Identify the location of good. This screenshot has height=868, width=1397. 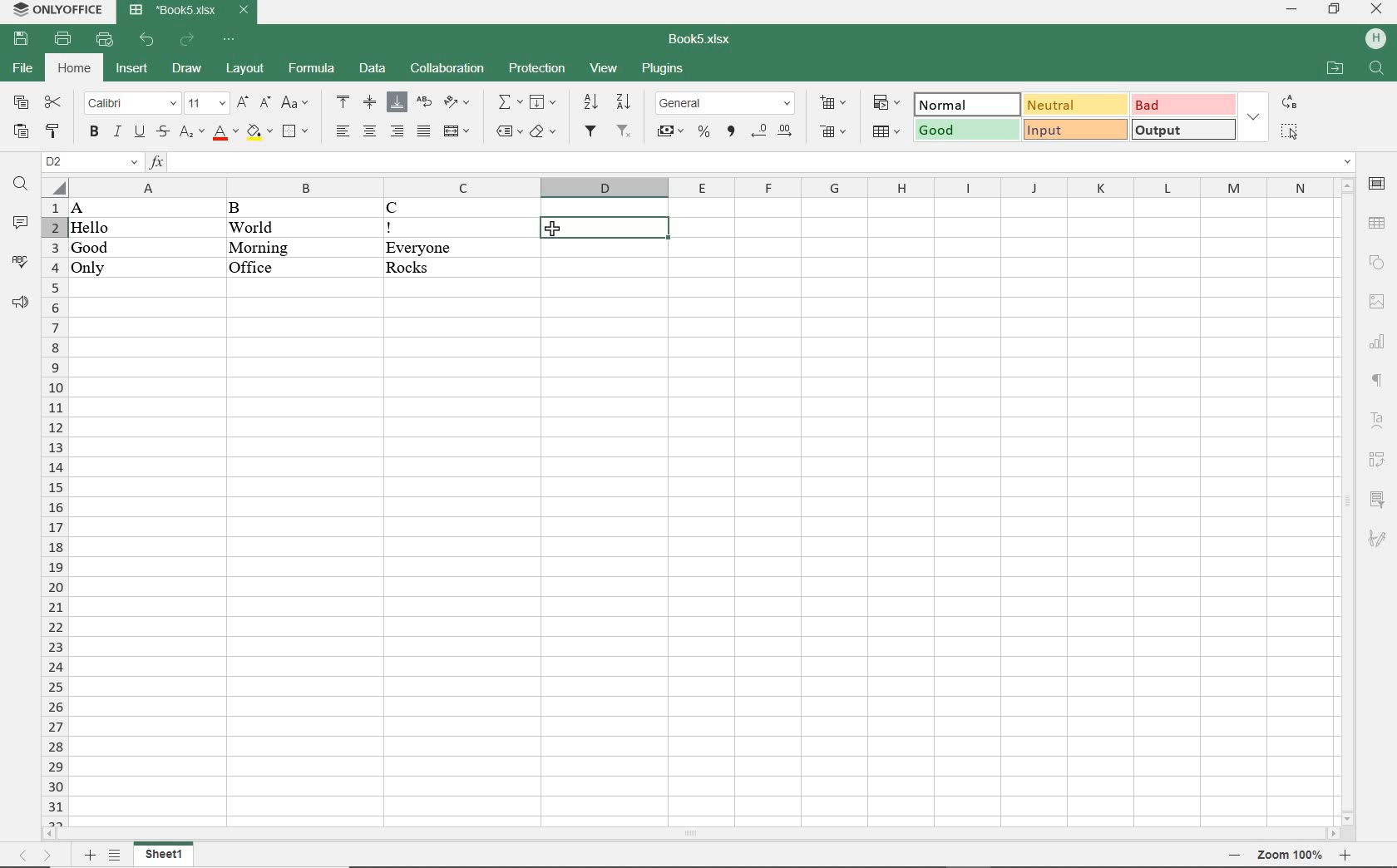
(966, 131).